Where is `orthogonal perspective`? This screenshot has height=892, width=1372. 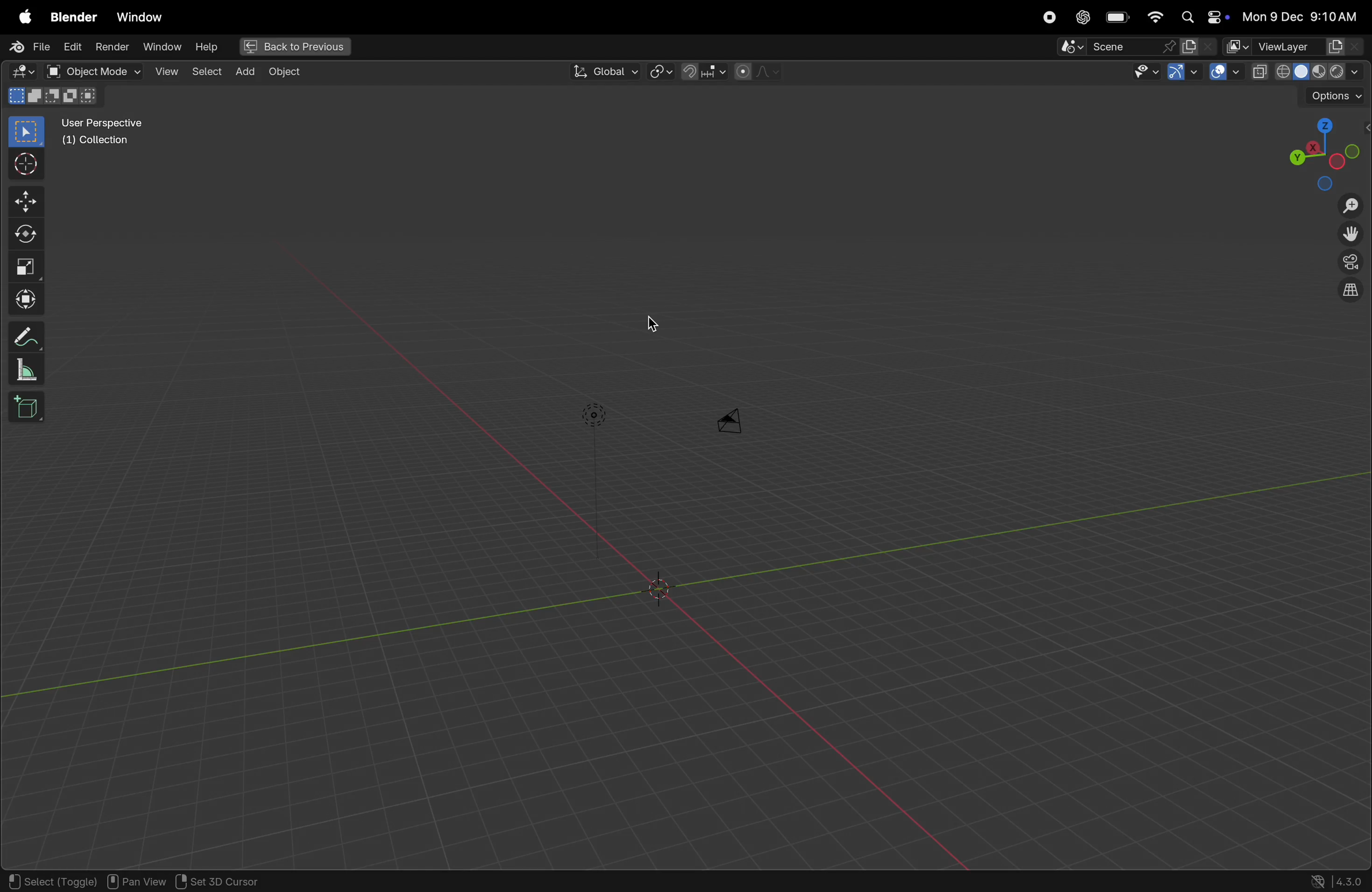 orthogonal perspective is located at coordinates (1350, 292).